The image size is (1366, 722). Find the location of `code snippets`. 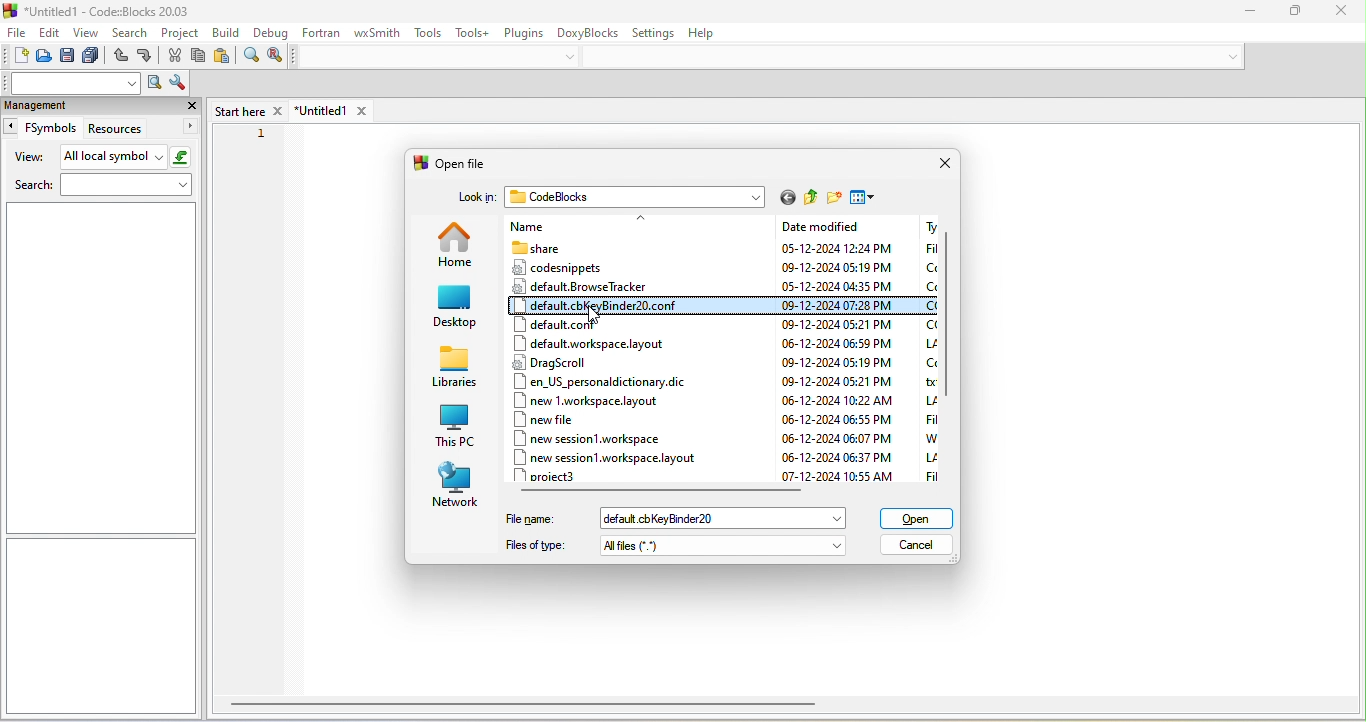

code snippets is located at coordinates (581, 268).